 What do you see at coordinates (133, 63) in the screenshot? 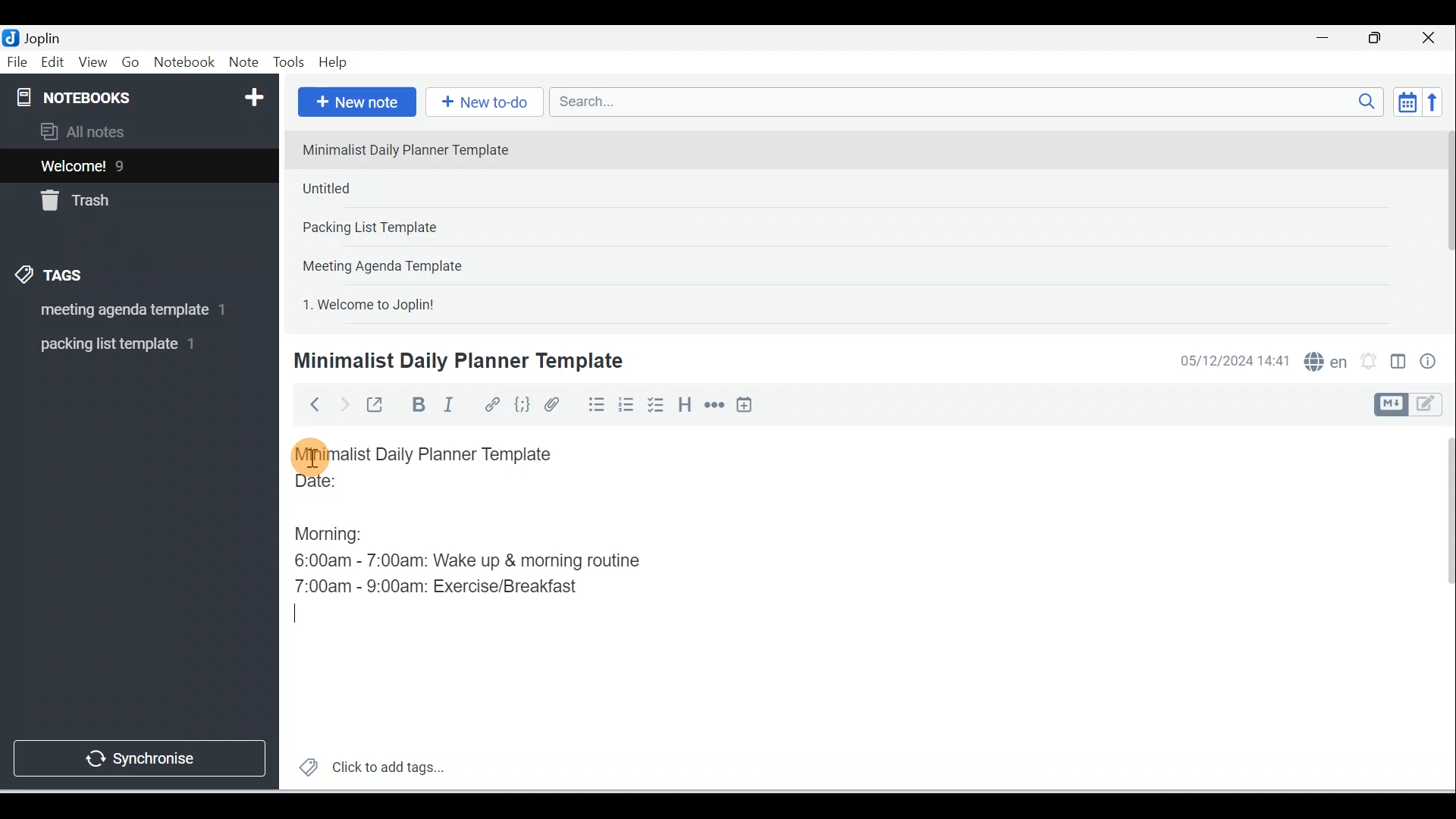
I see `Go` at bounding box center [133, 63].